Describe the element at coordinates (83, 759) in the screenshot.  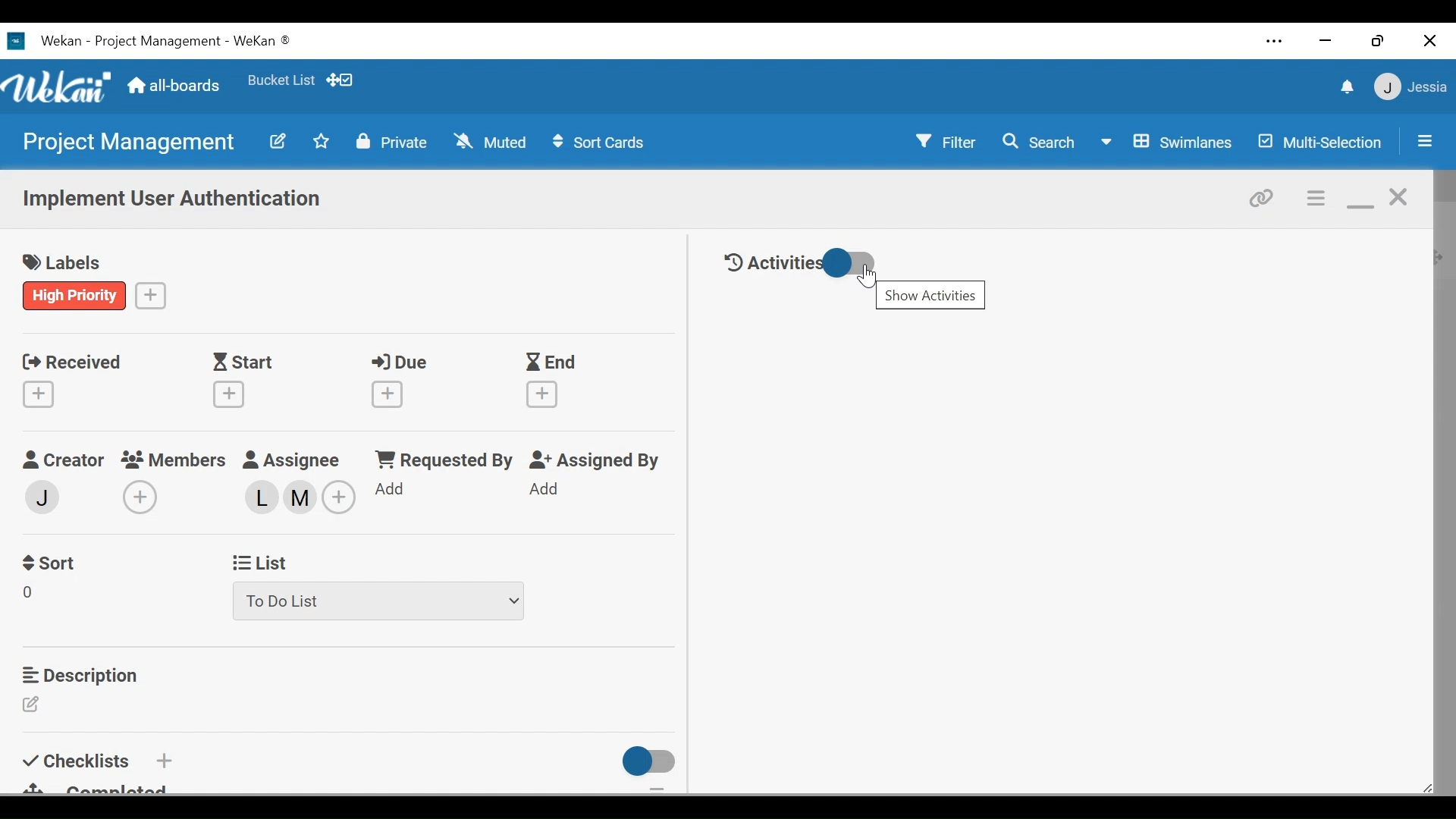
I see `Checklist` at that location.